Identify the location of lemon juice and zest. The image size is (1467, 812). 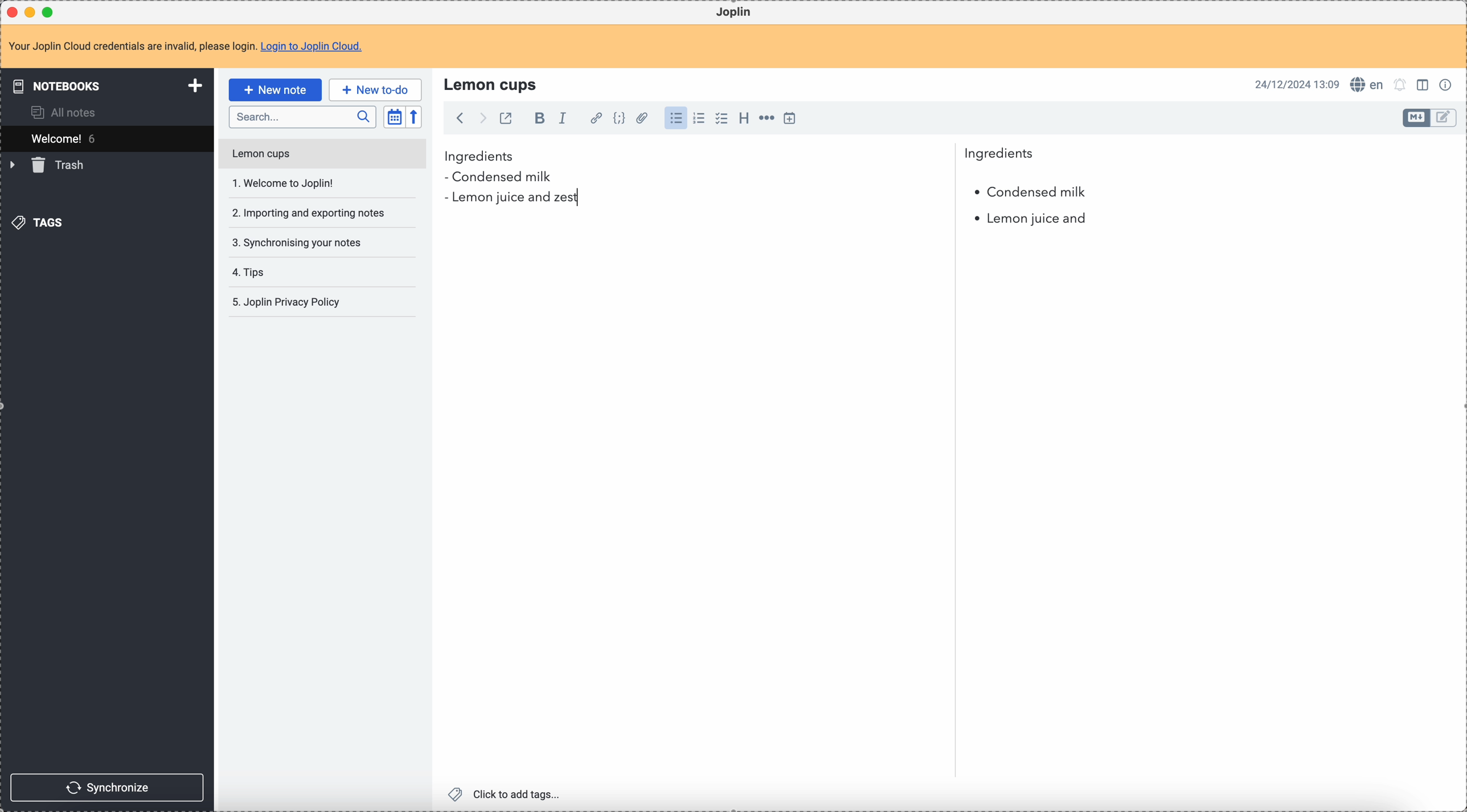
(511, 199).